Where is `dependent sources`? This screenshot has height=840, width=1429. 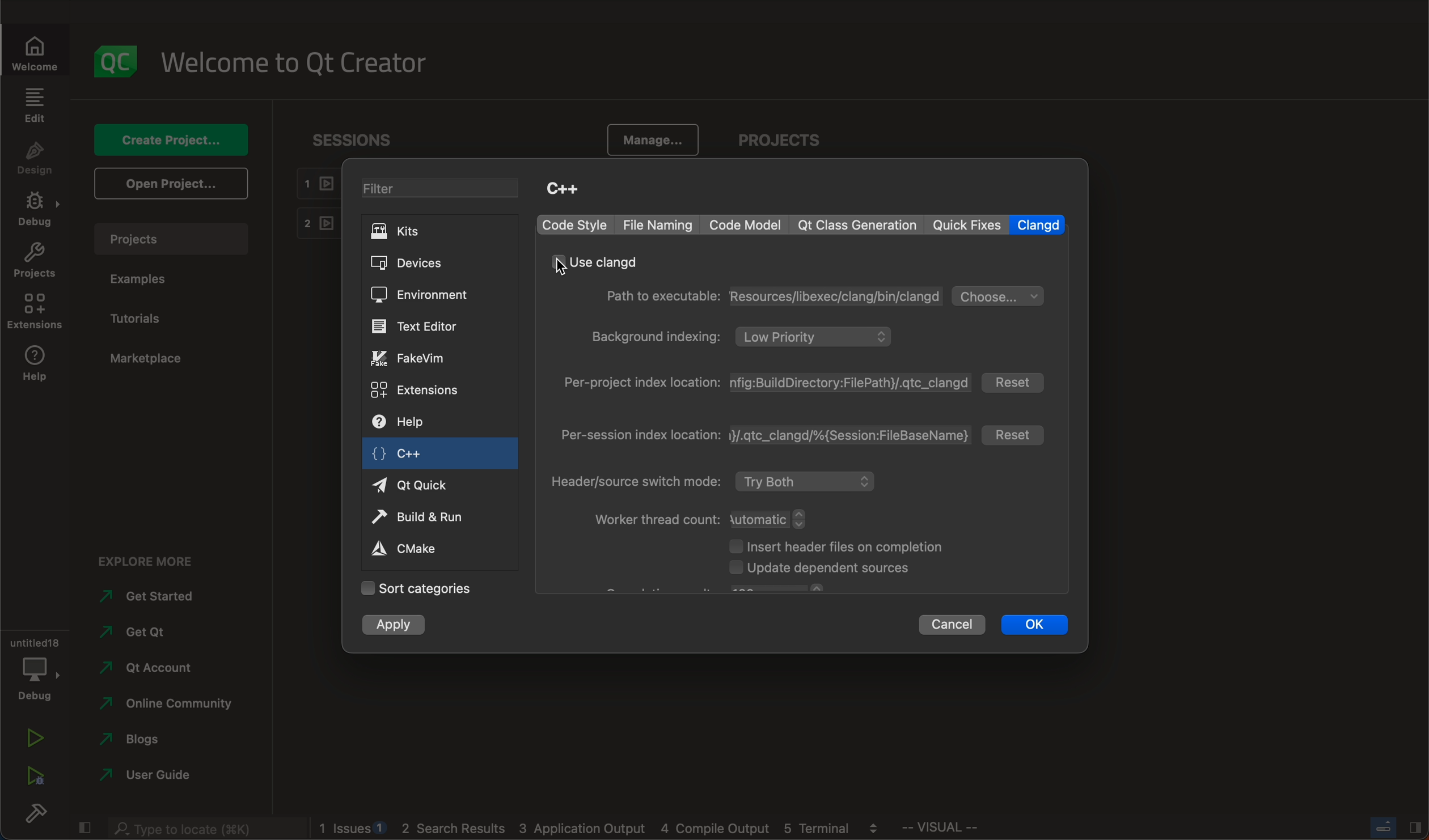 dependent sources is located at coordinates (822, 569).